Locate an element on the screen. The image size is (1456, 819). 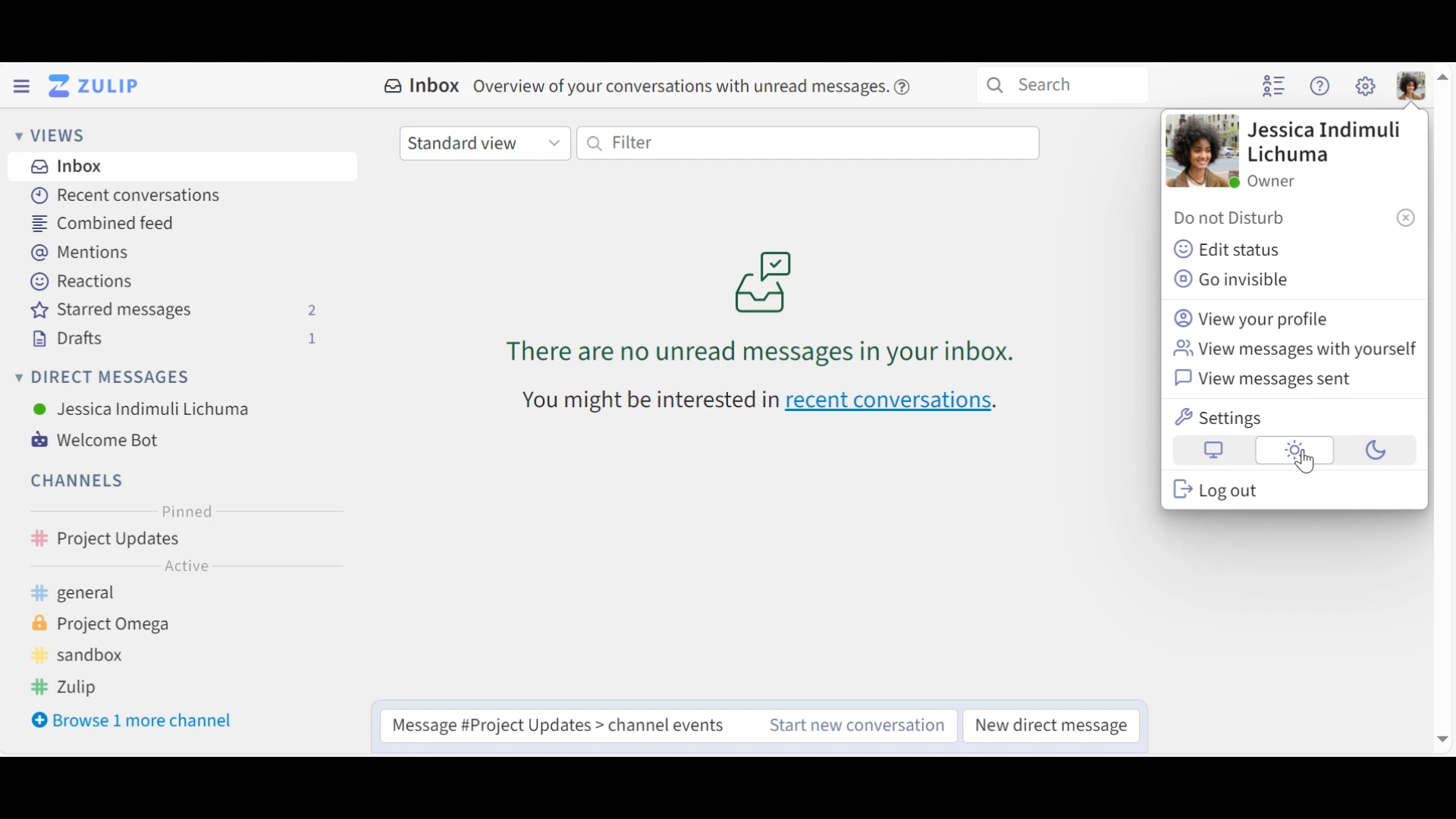
Project Omega is located at coordinates (114, 625).